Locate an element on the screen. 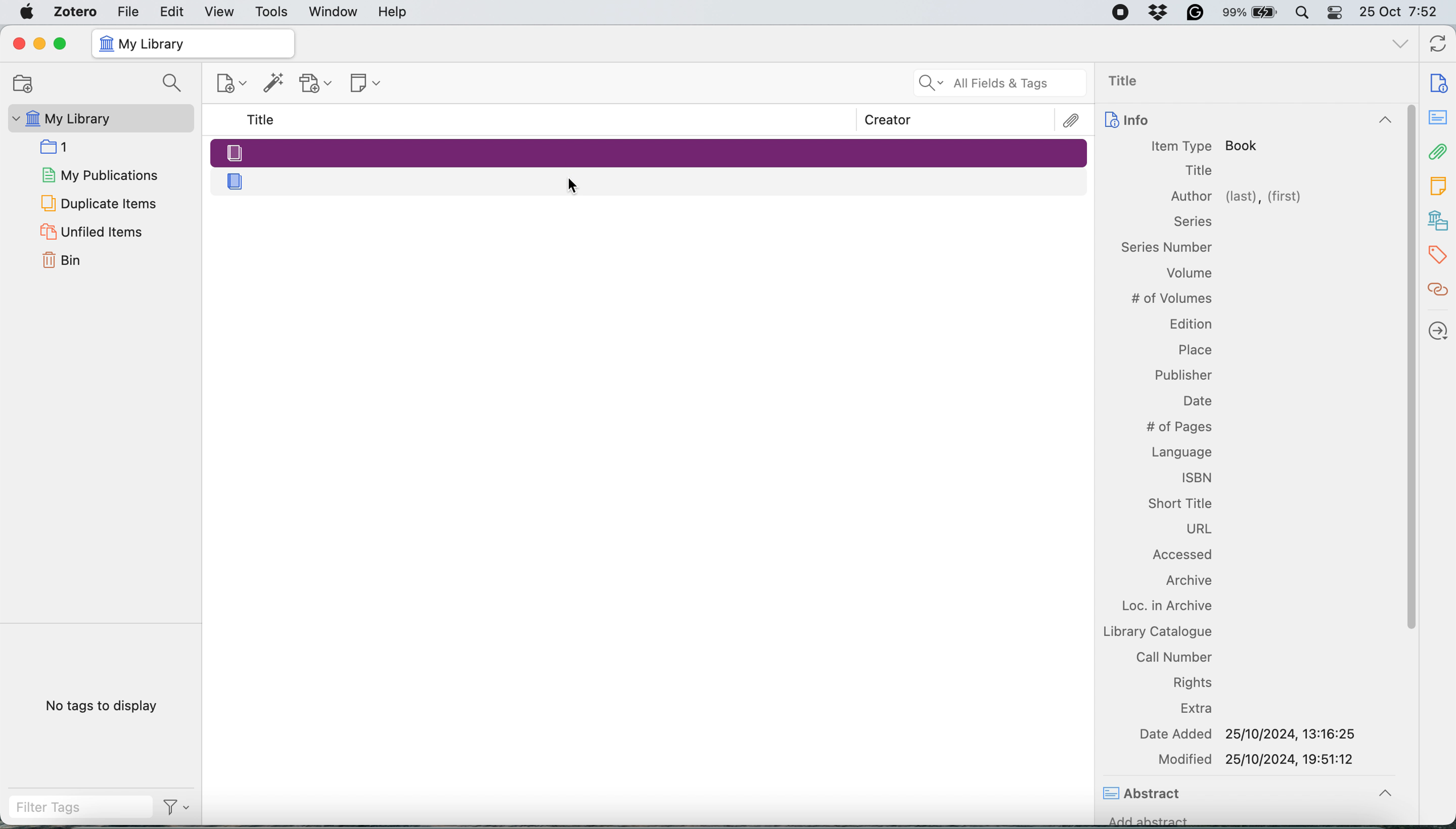  Publisher is located at coordinates (1184, 375).